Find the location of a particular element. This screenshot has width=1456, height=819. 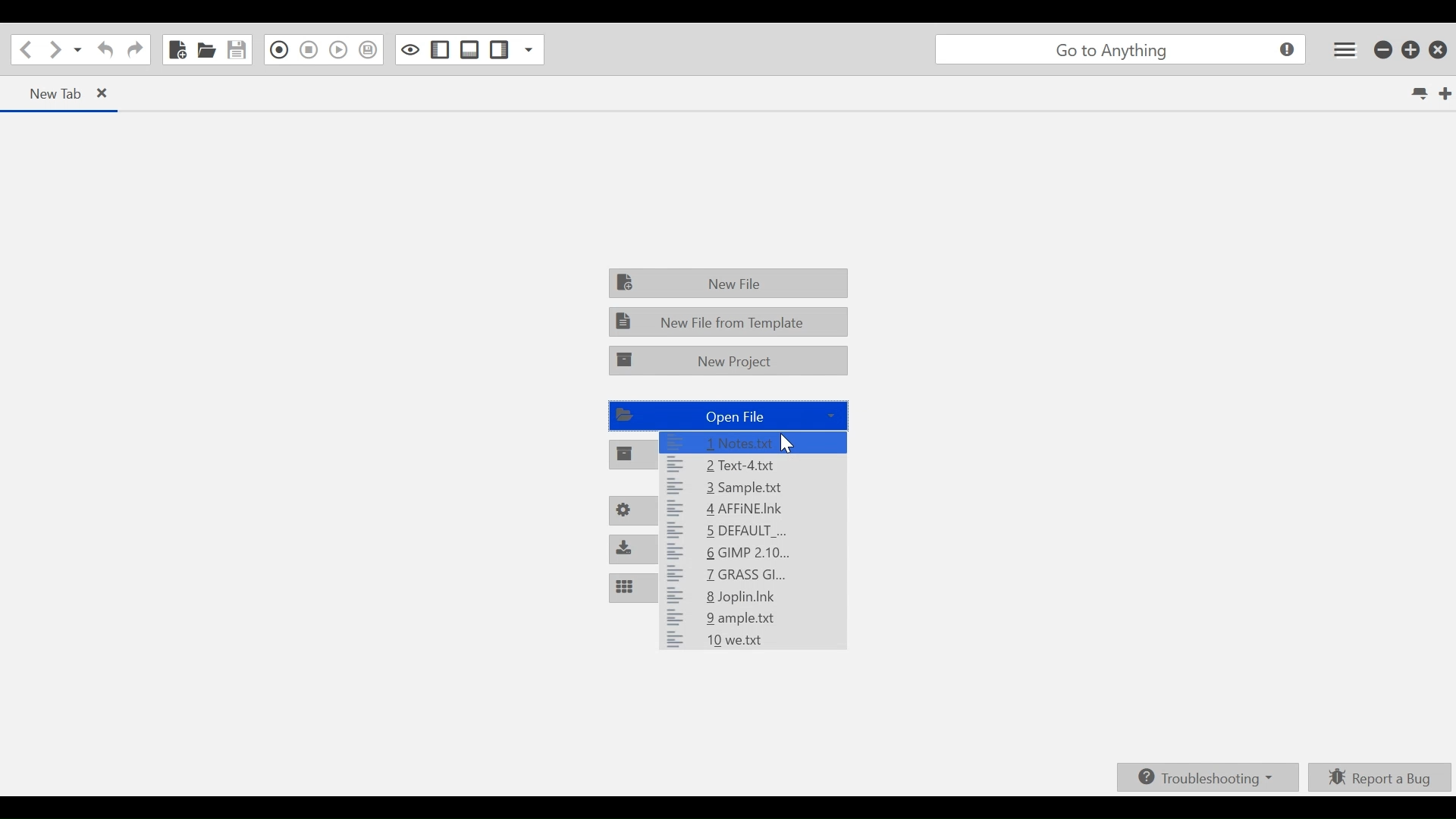

Go back one loaction is located at coordinates (25, 49).